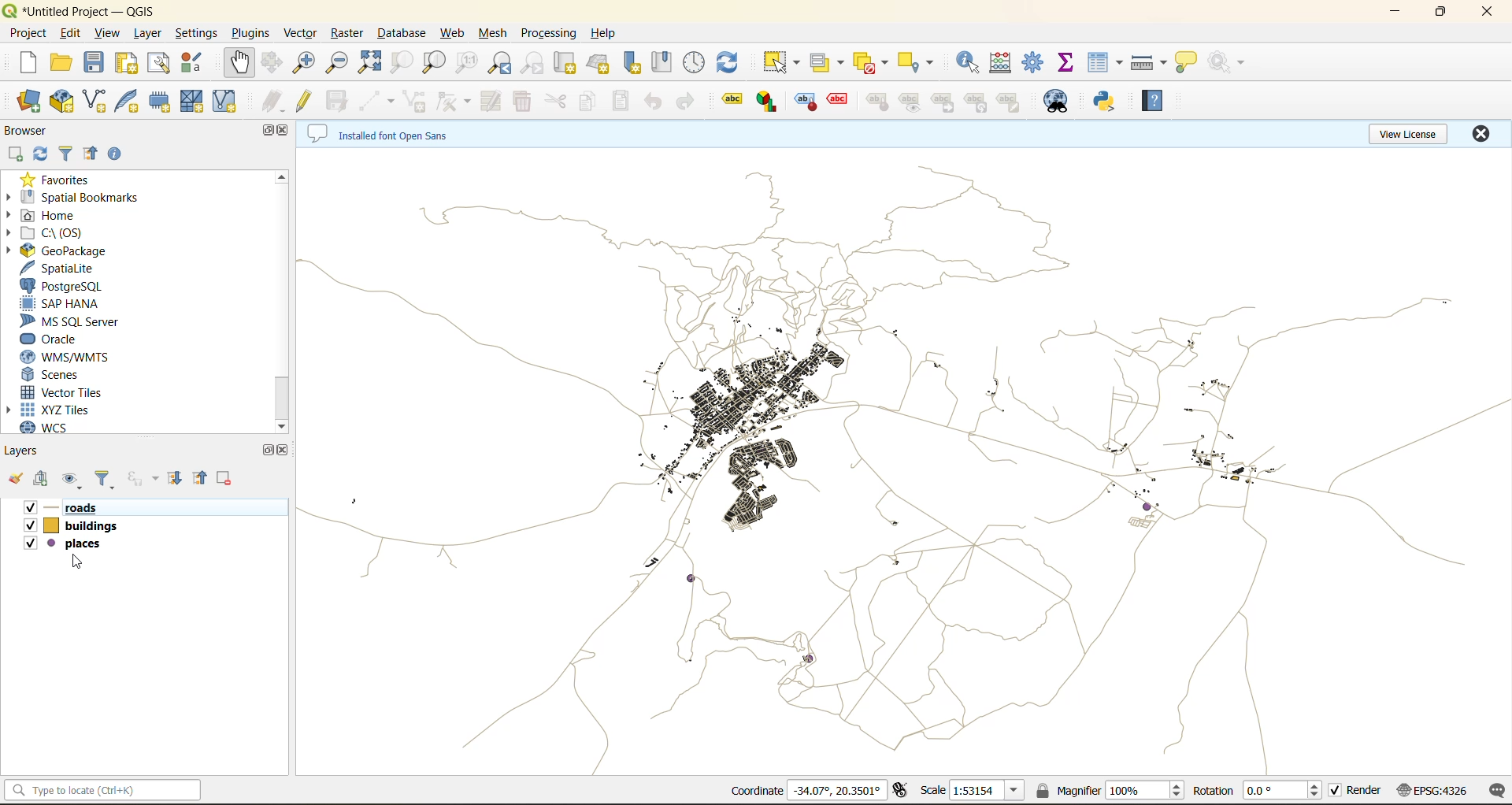 This screenshot has height=805, width=1512. Describe the element at coordinates (811, 789) in the screenshot. I see `coordinates` at that location.